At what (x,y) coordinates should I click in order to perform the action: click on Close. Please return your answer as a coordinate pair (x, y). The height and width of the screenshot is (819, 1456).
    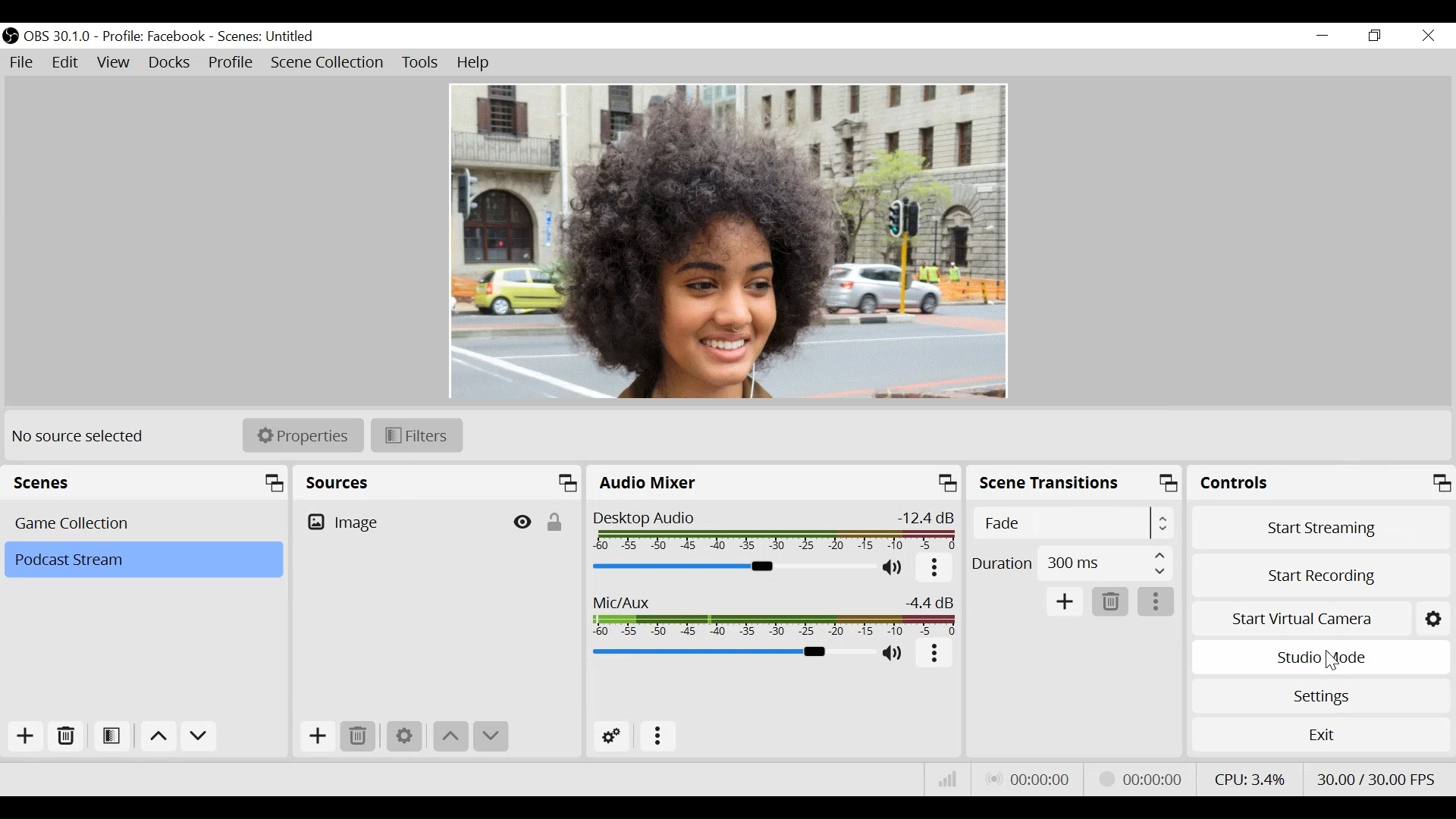
    Looking at the image, I should click on (1426, 36).